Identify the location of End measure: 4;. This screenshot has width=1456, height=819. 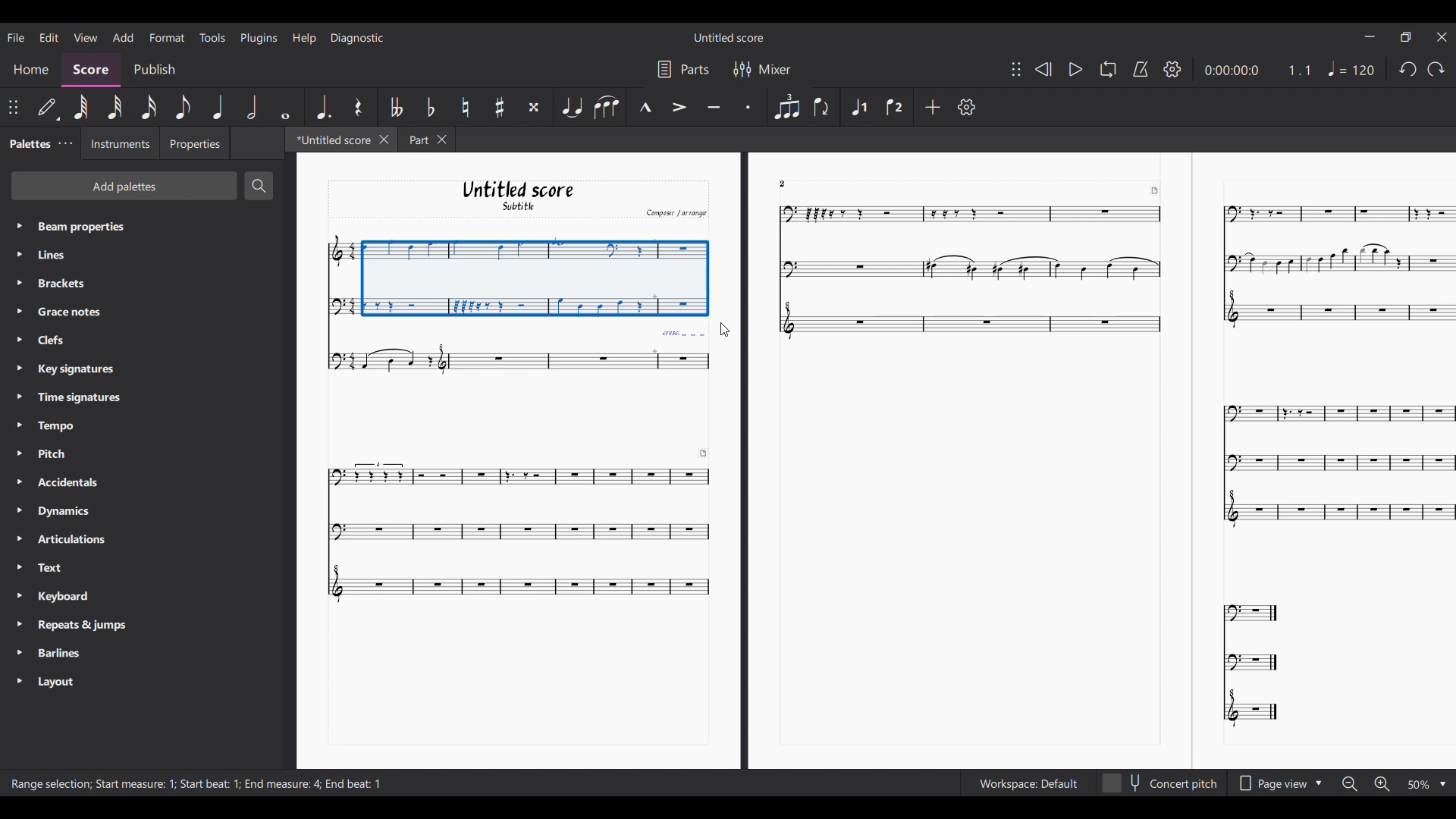
(282, 783).